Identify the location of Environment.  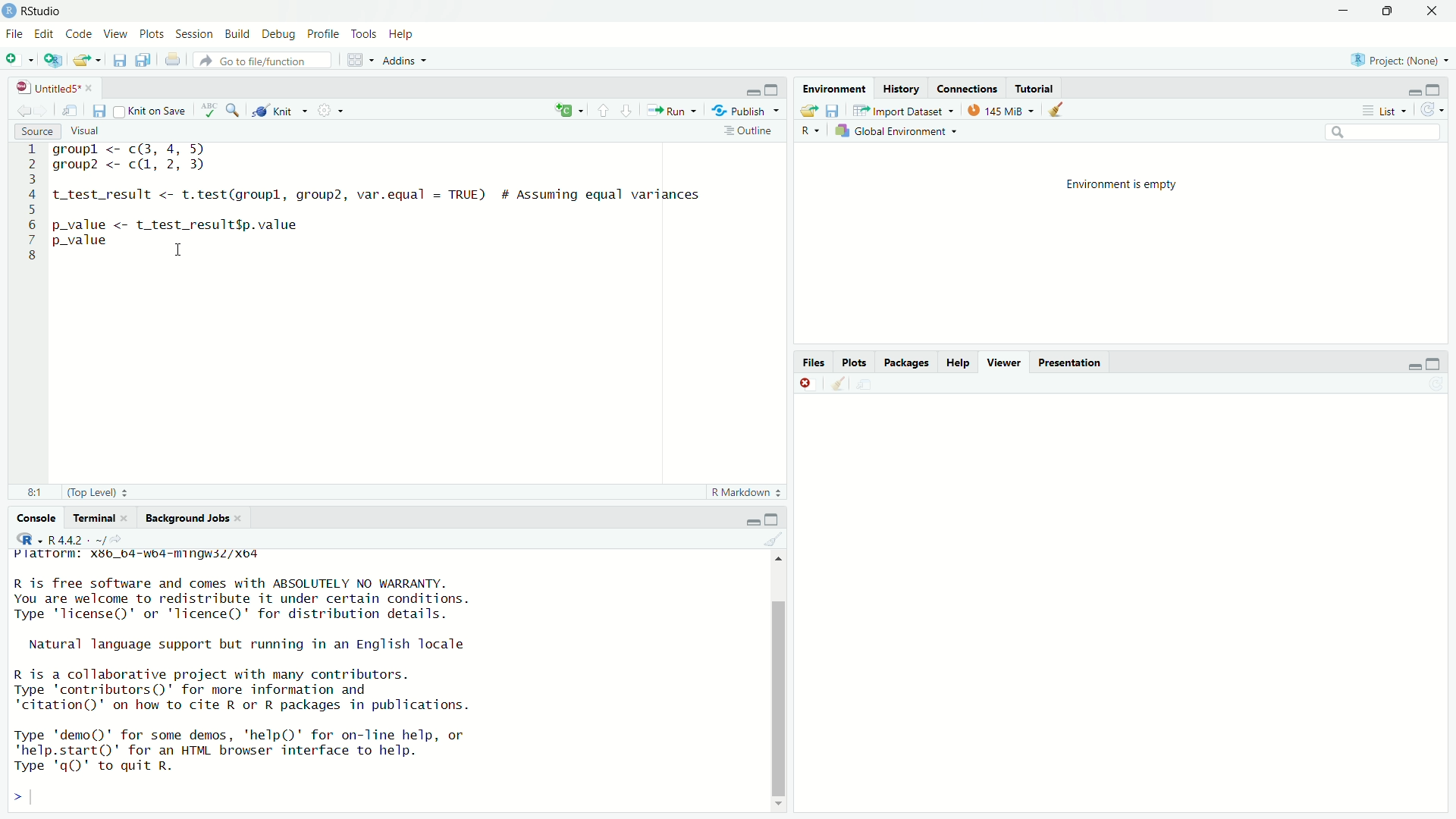
(831, 87).